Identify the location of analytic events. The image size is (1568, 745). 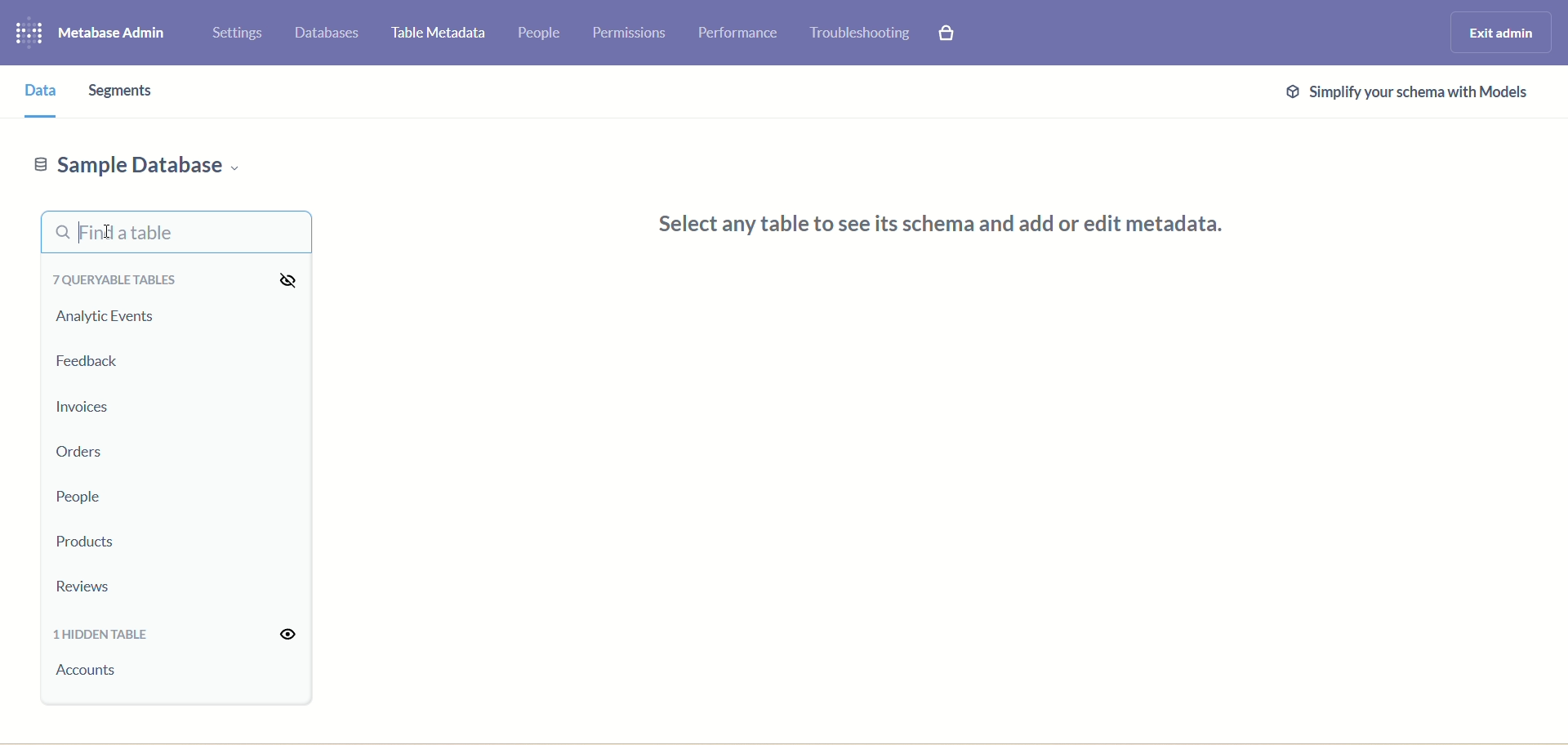
(102, 315).